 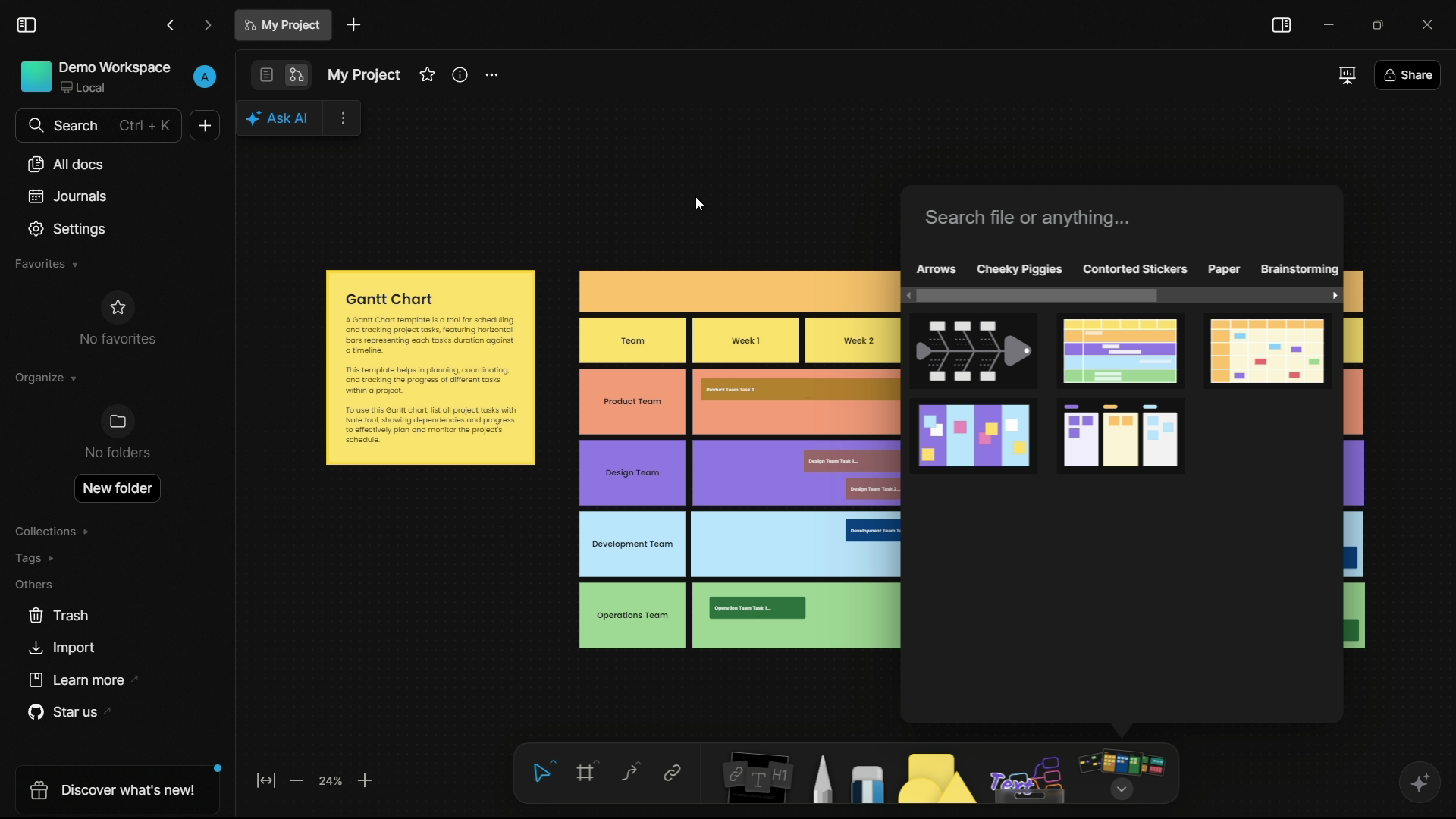 What do you see at coordinates (205, 77) in the screenshot?
I see `profile settings` at bounding box center [205, 77].